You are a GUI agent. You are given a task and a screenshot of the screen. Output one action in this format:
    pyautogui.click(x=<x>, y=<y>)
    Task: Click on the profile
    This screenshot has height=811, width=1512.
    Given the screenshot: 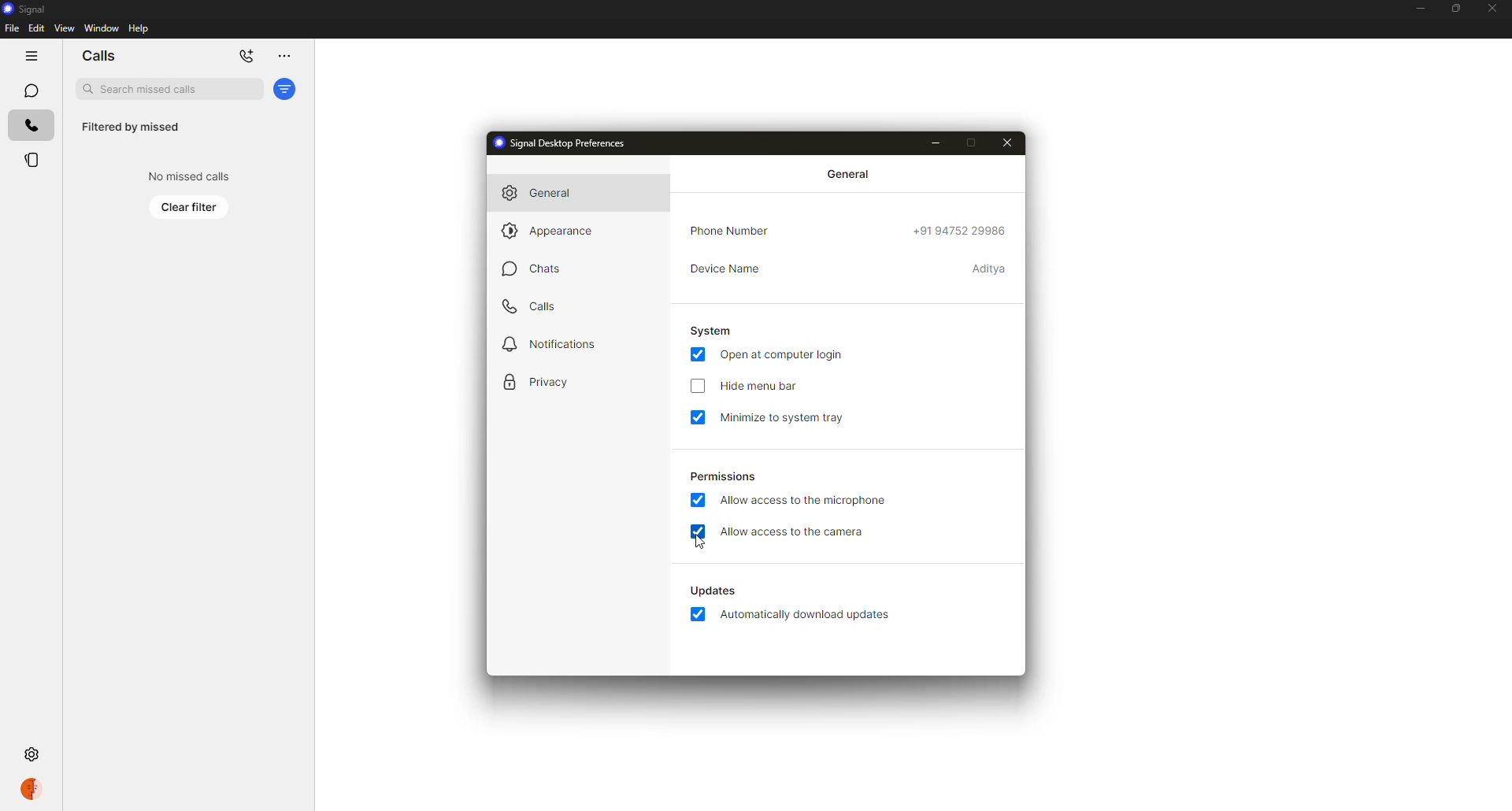 What is the action you would take?
    pyautogui.click(x=31, y=789)
    